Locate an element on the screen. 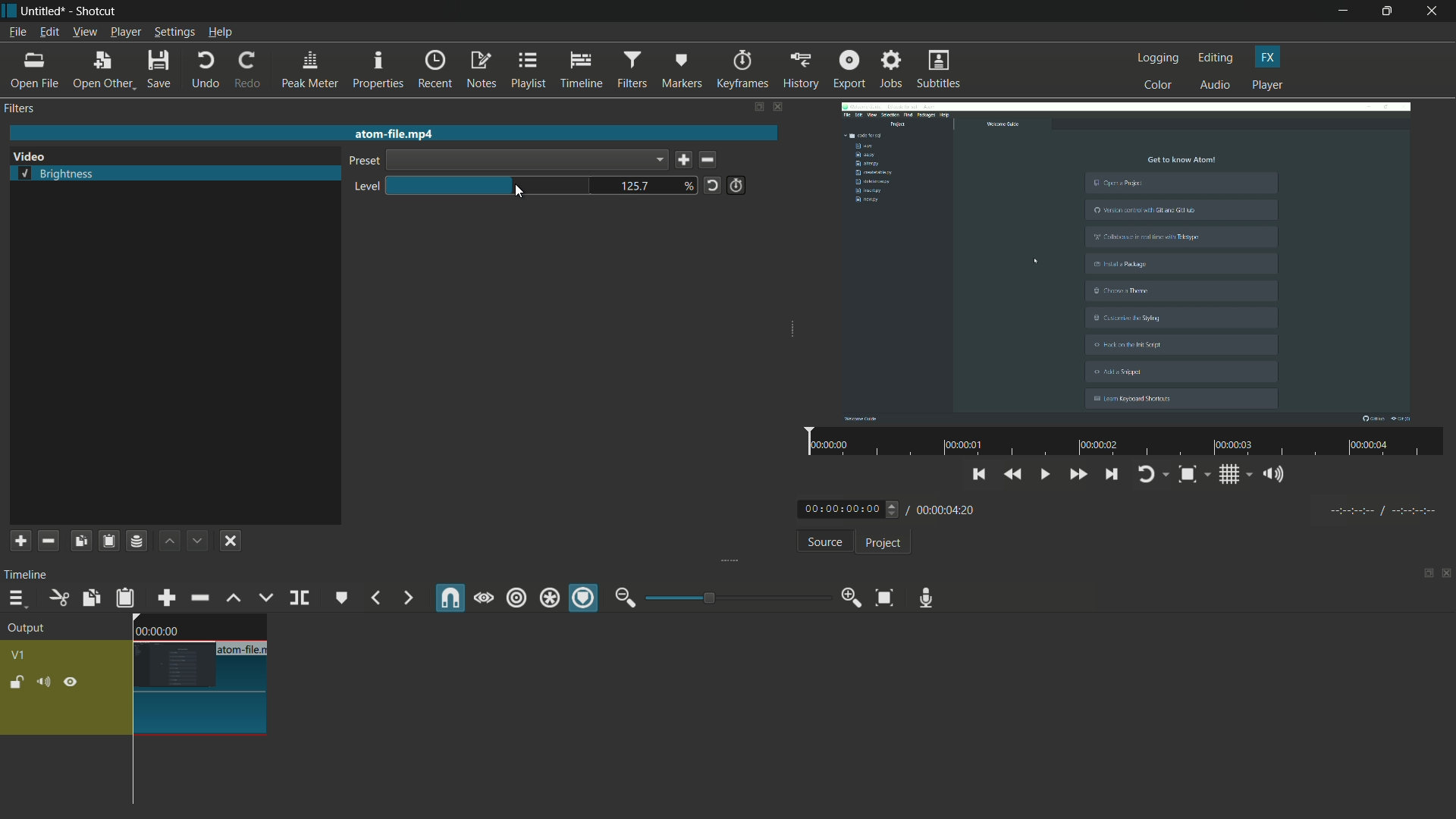 The width and height of the screenshot is (1456, 819). export is located at coordinates (848, 69).